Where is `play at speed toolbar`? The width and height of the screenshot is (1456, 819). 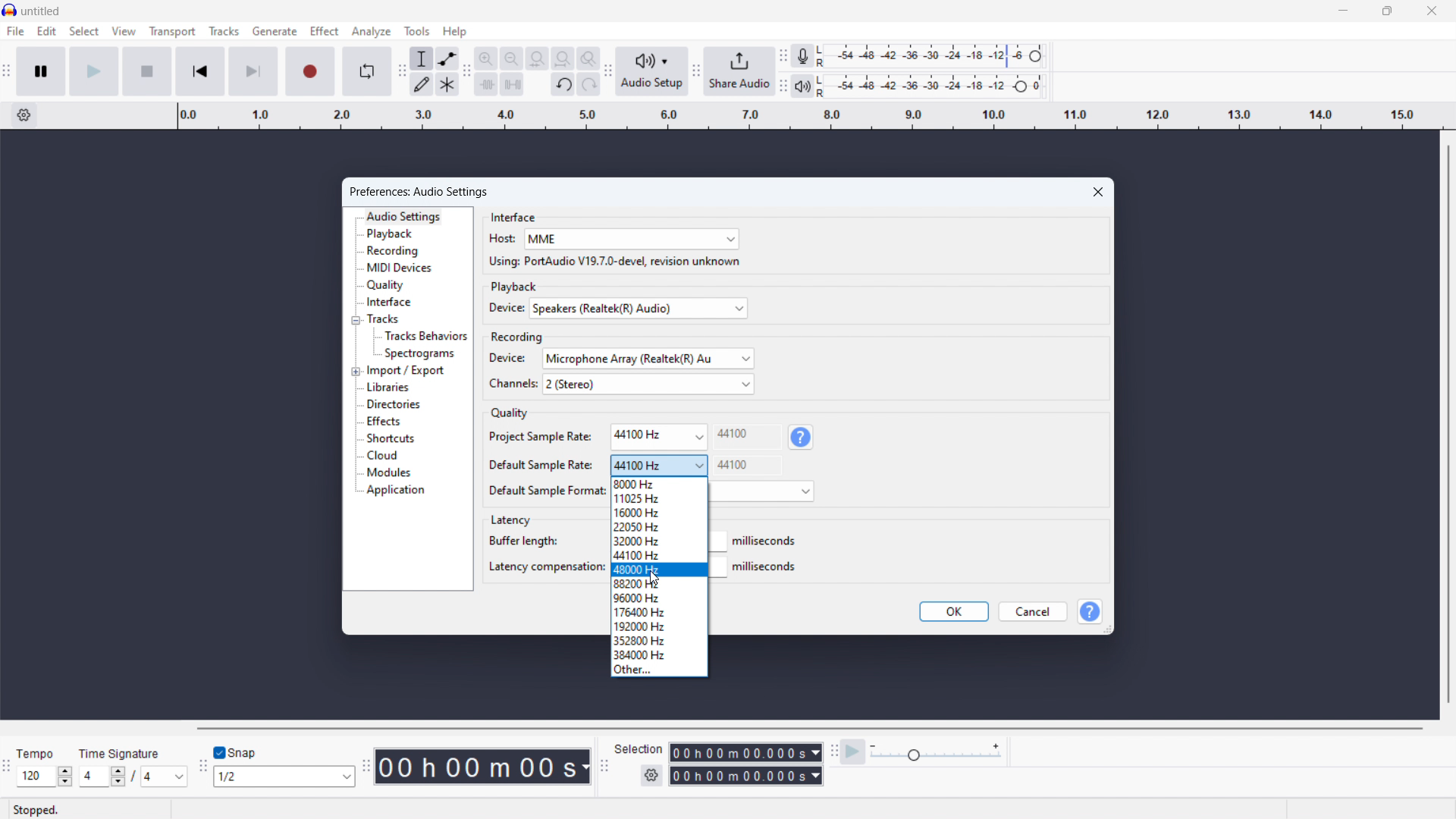
play at speed toolbar is located at coordinates (833, 752).